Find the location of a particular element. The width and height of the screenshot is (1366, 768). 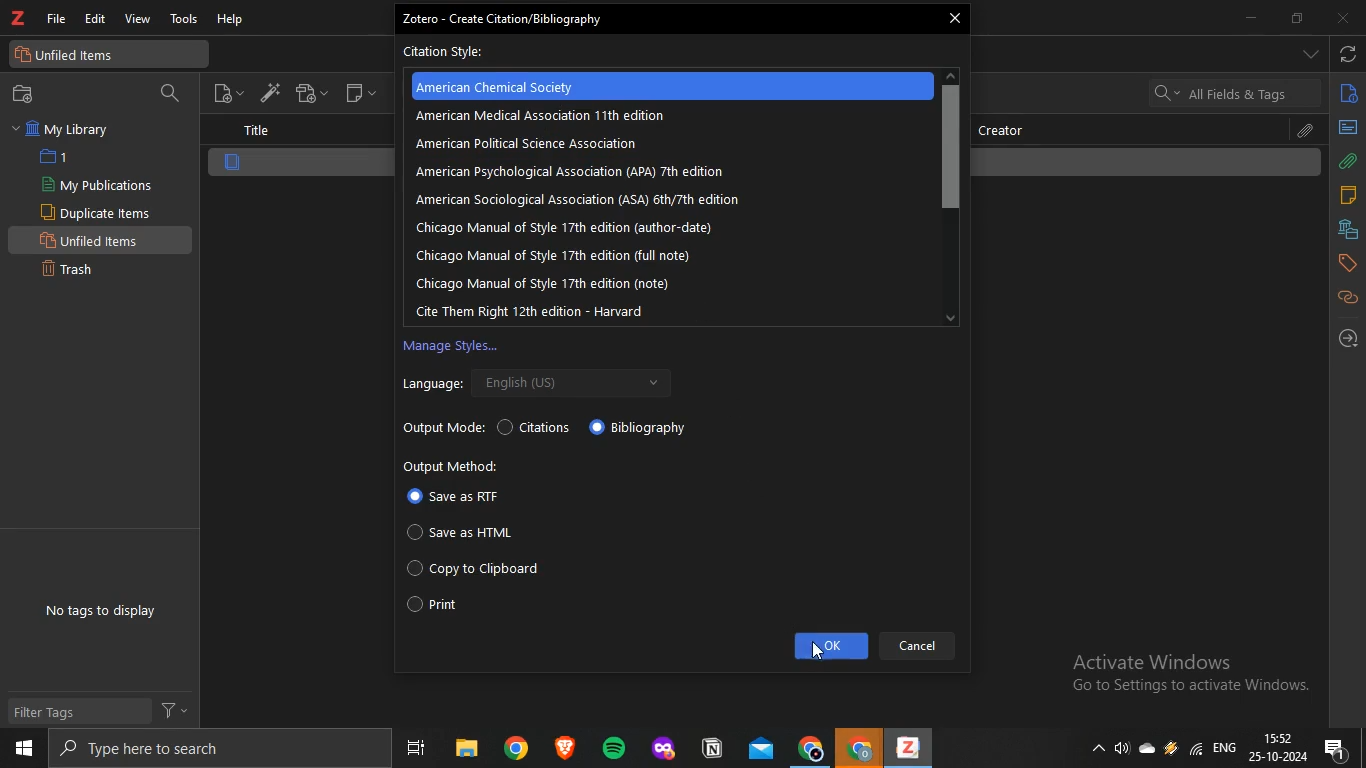

attachments is located at coordinates (1348, 161).